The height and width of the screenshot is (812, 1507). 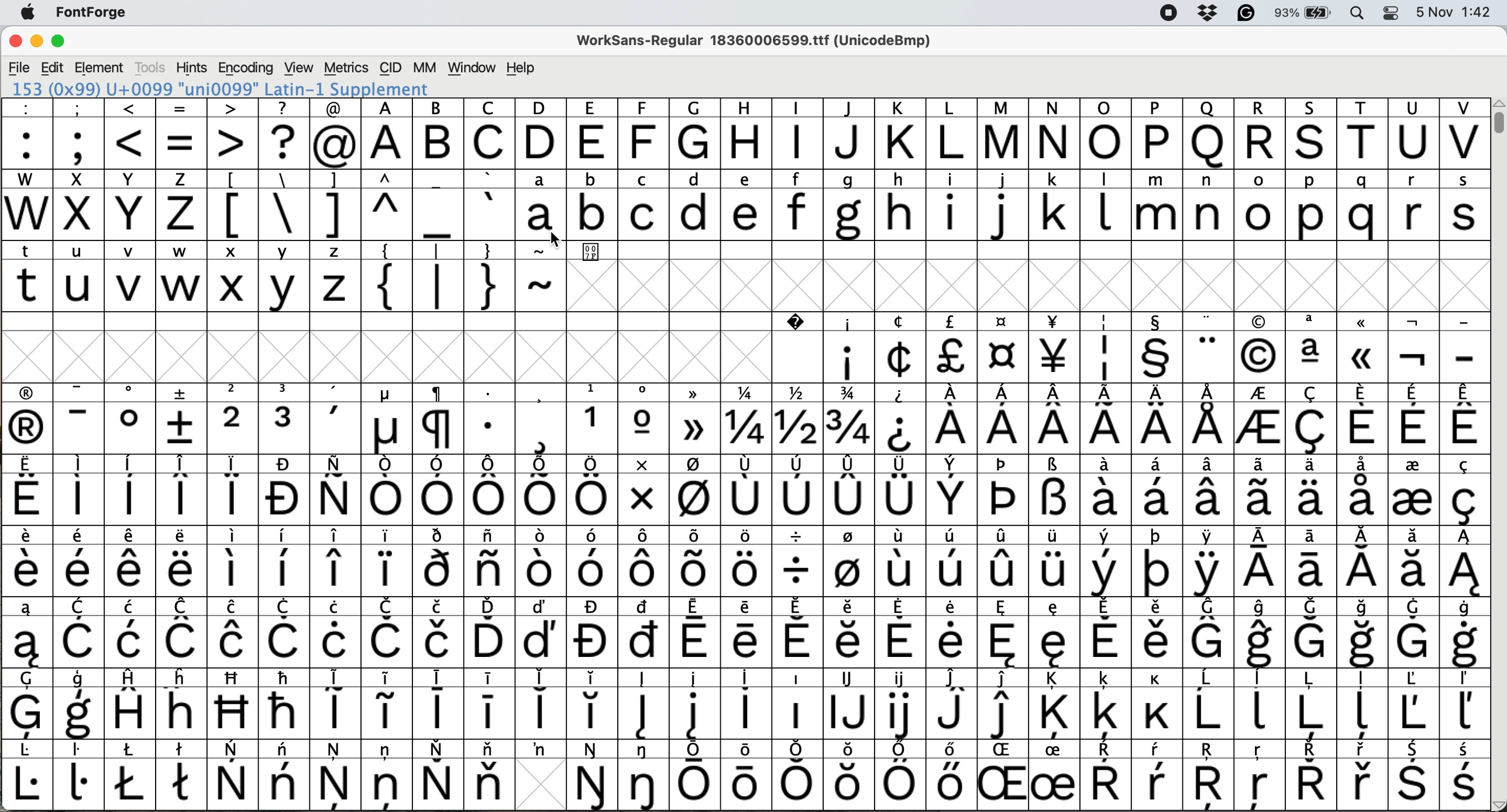 What do you see at coordinates (386, 490) in the screenshot?
I see `symbol` at bounding box center [386, 490].